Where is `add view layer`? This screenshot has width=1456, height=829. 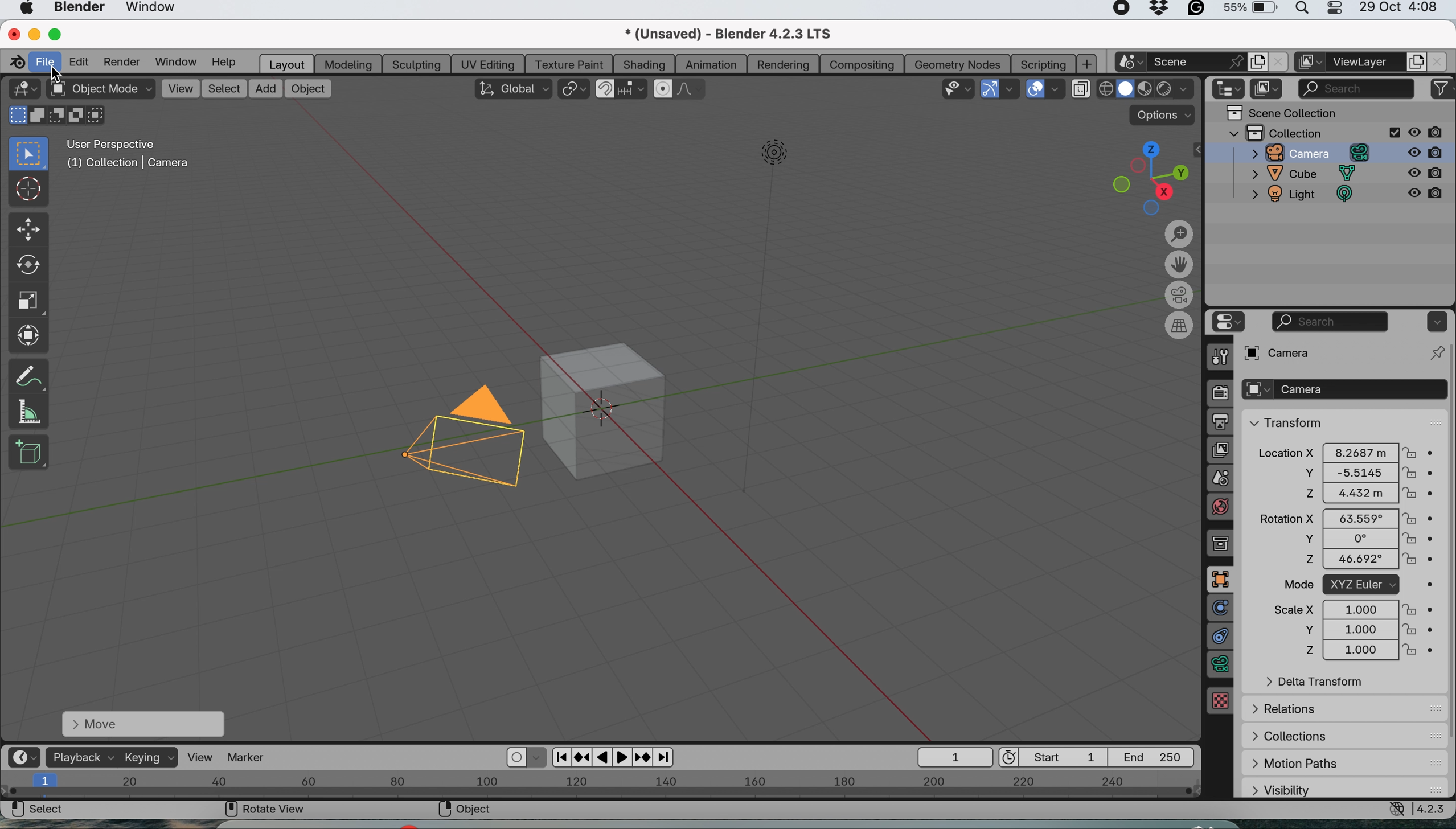 add view layer is located at coordinates (1414, 63).